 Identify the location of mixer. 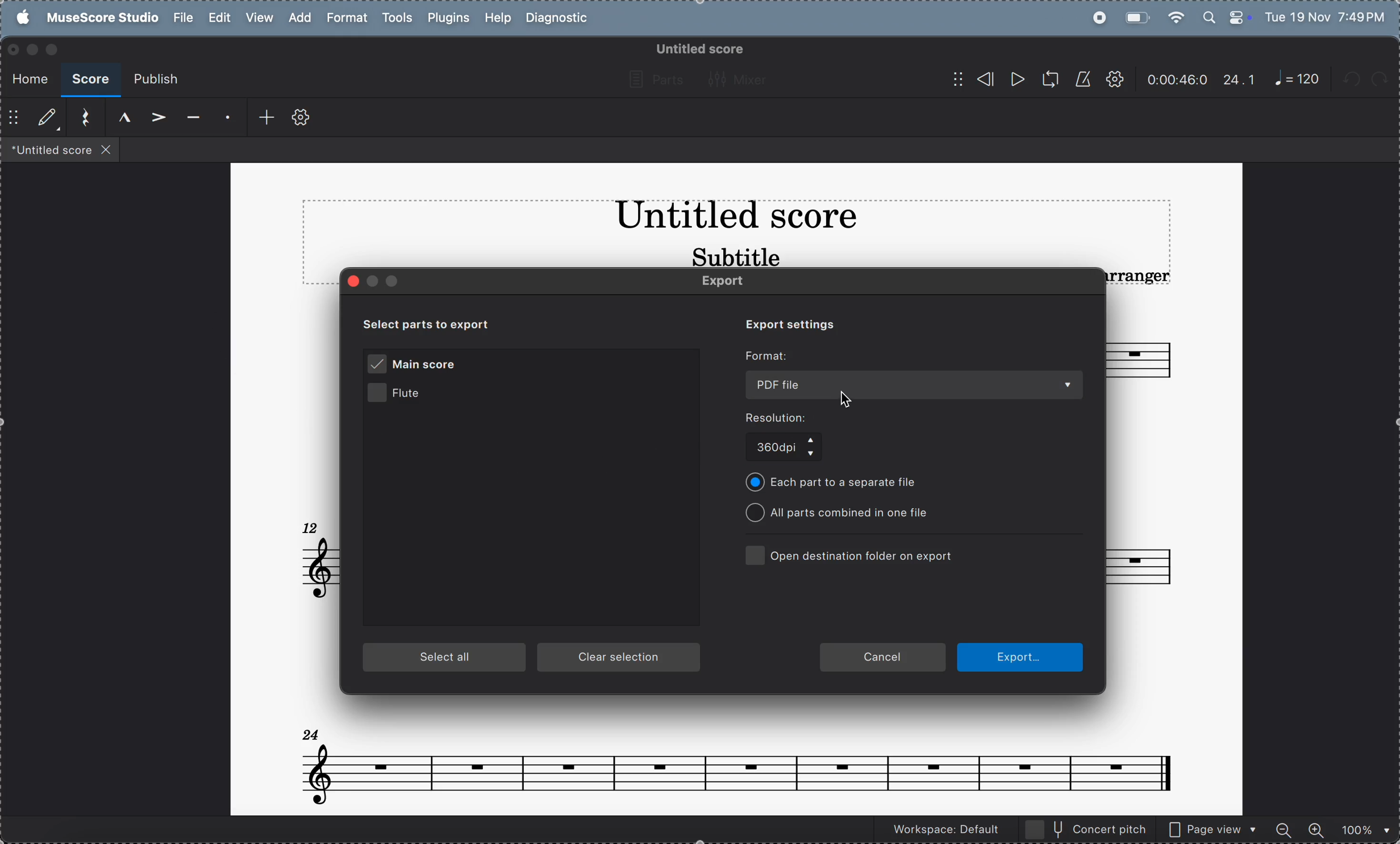
(741, 79).